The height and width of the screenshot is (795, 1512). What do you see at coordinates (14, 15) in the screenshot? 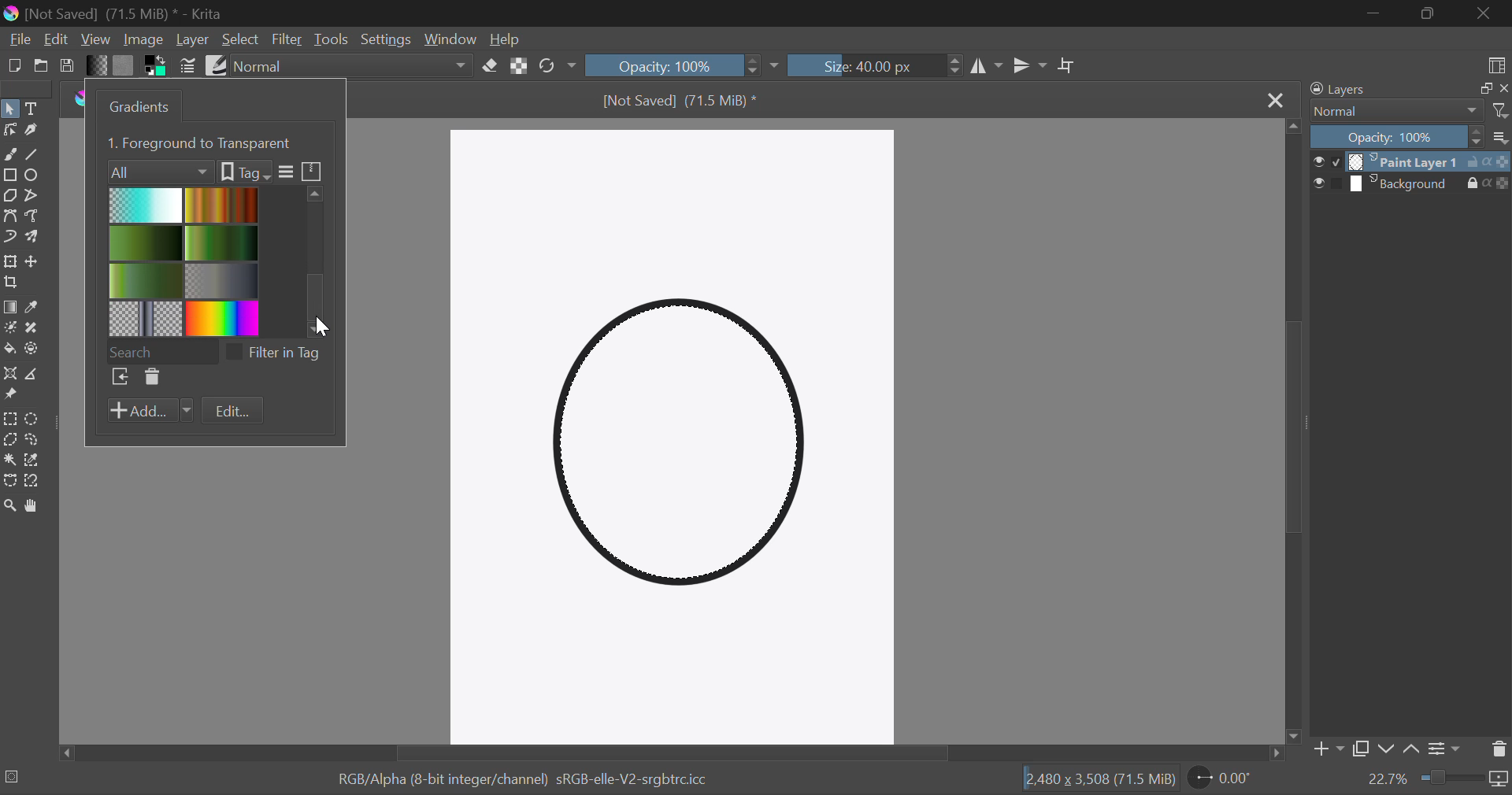
I see `logo` at bounding box center [14, 15].